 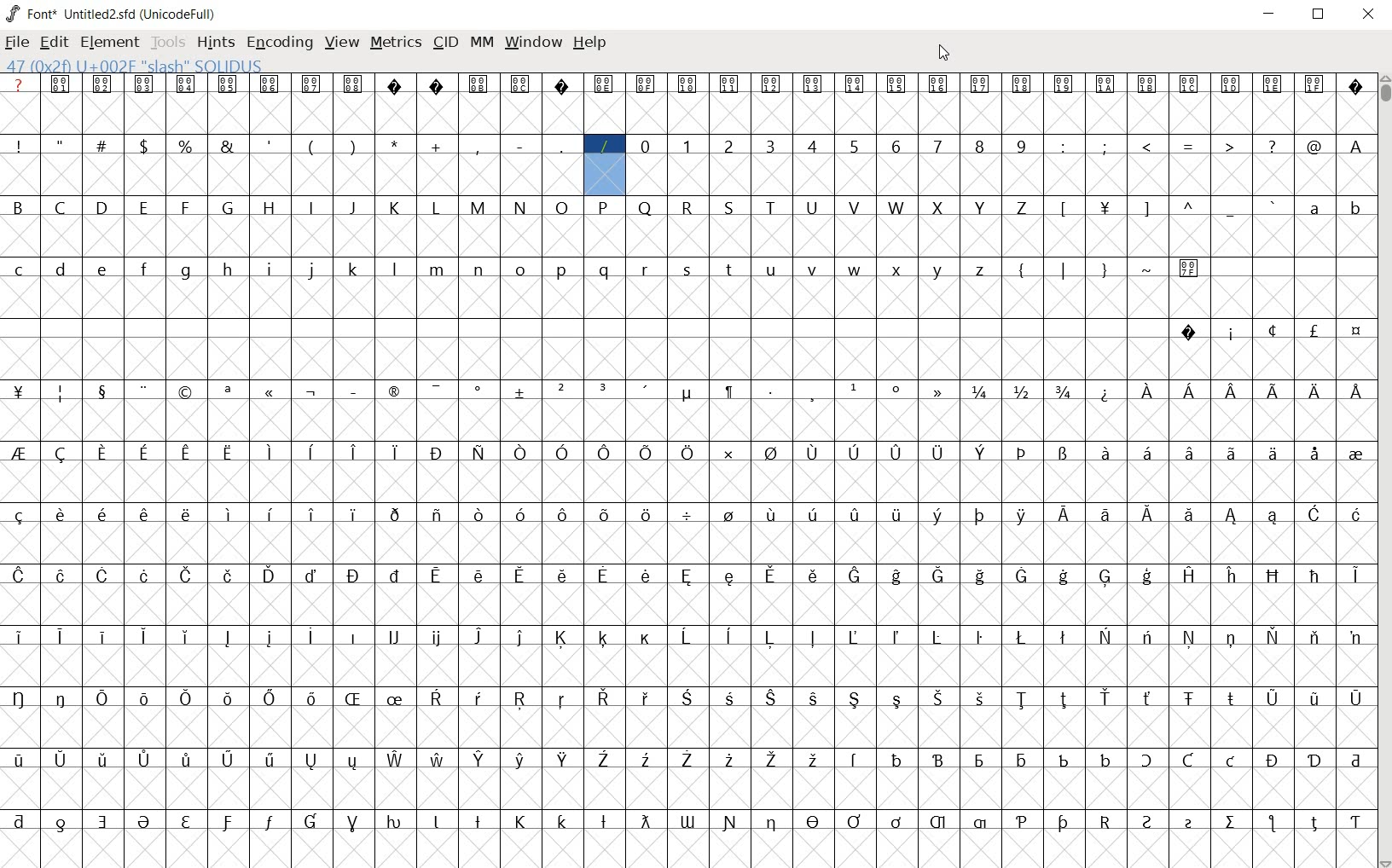 What do you see at coordinates (1272, 146) in the screenshot?
I see `glyph` at bounding box center [1272, 146].